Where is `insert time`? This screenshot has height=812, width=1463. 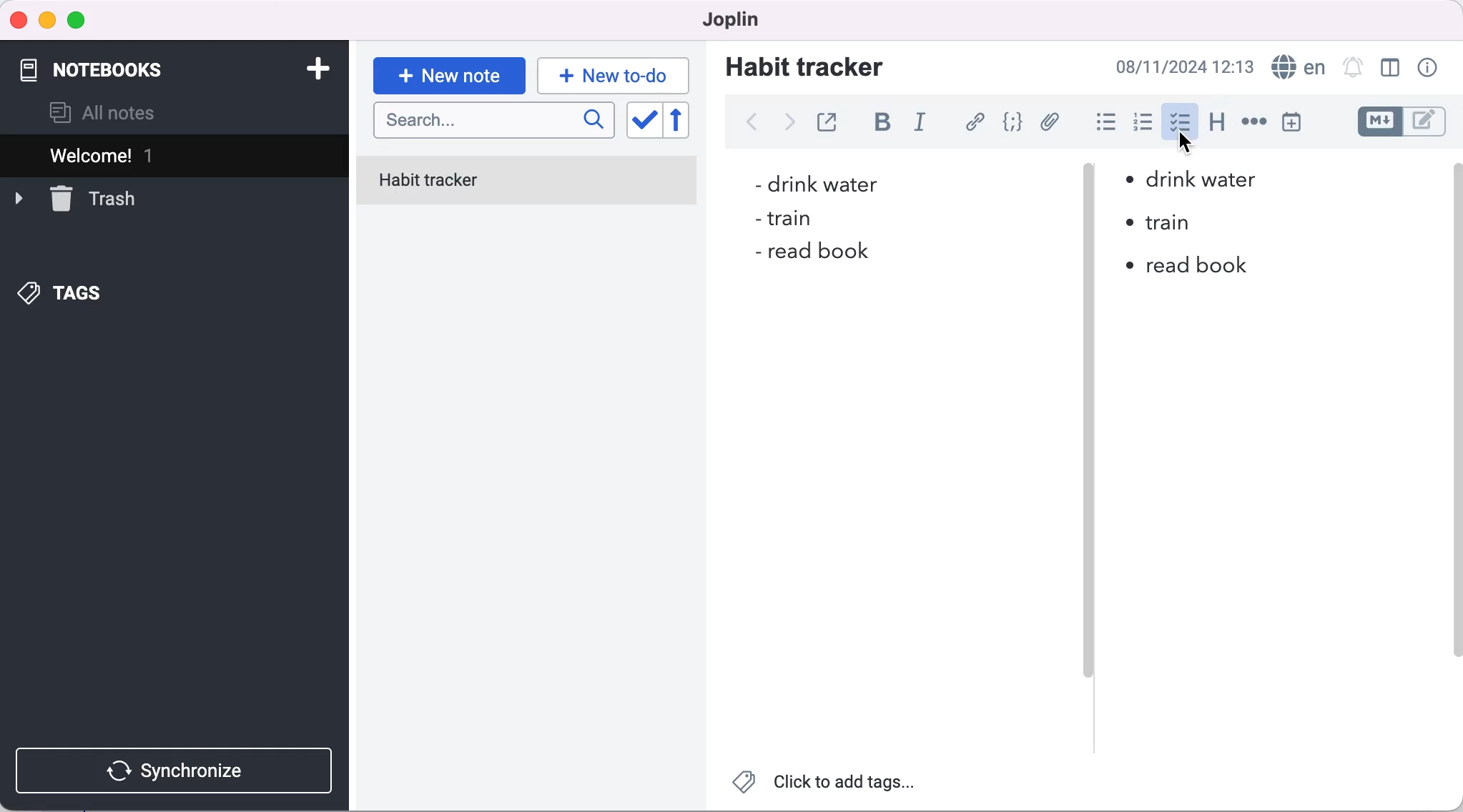 insert time is located at coordinates (1291, 122).